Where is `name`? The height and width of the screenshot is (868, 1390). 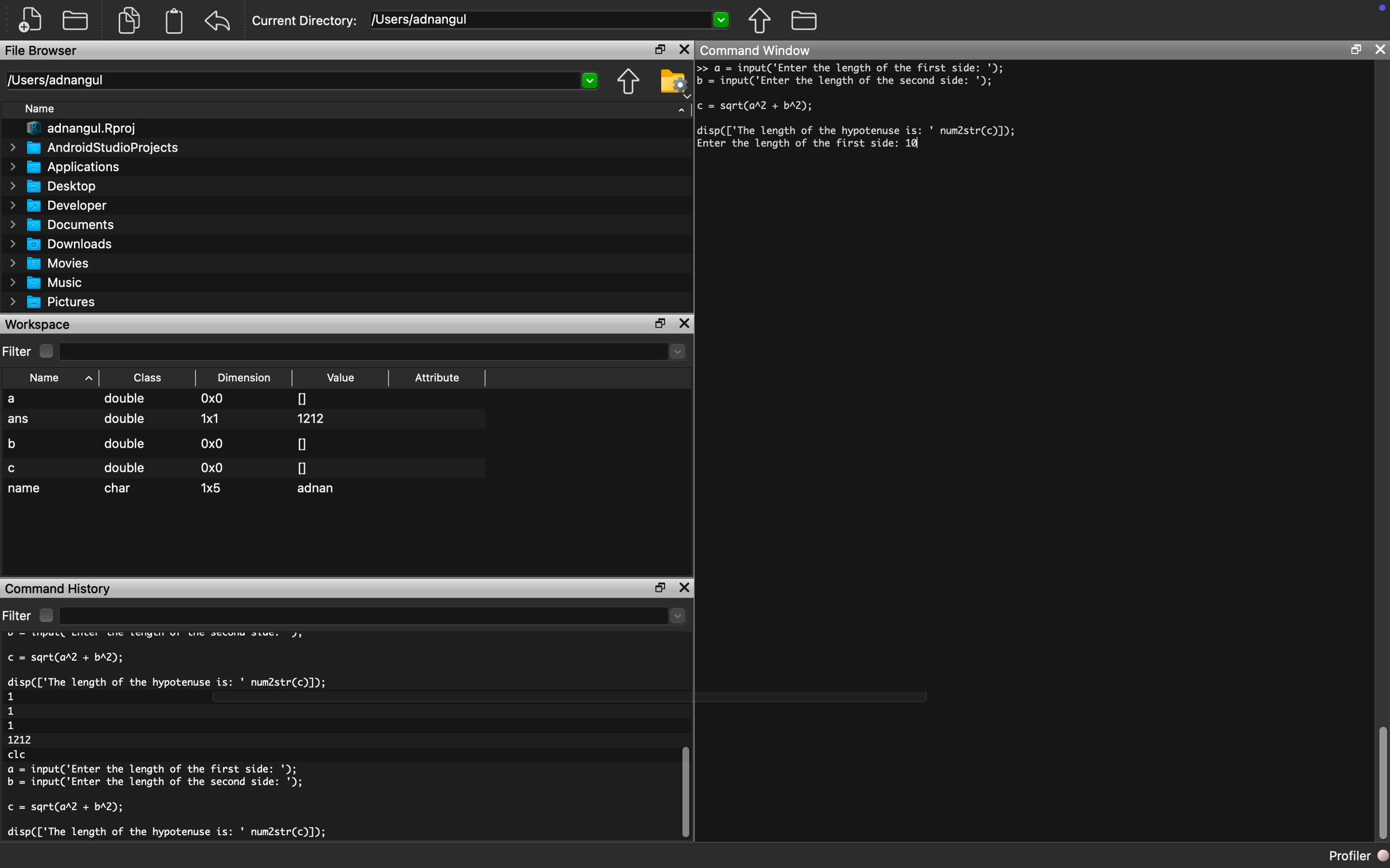 name is located at coordinates (26, 490).